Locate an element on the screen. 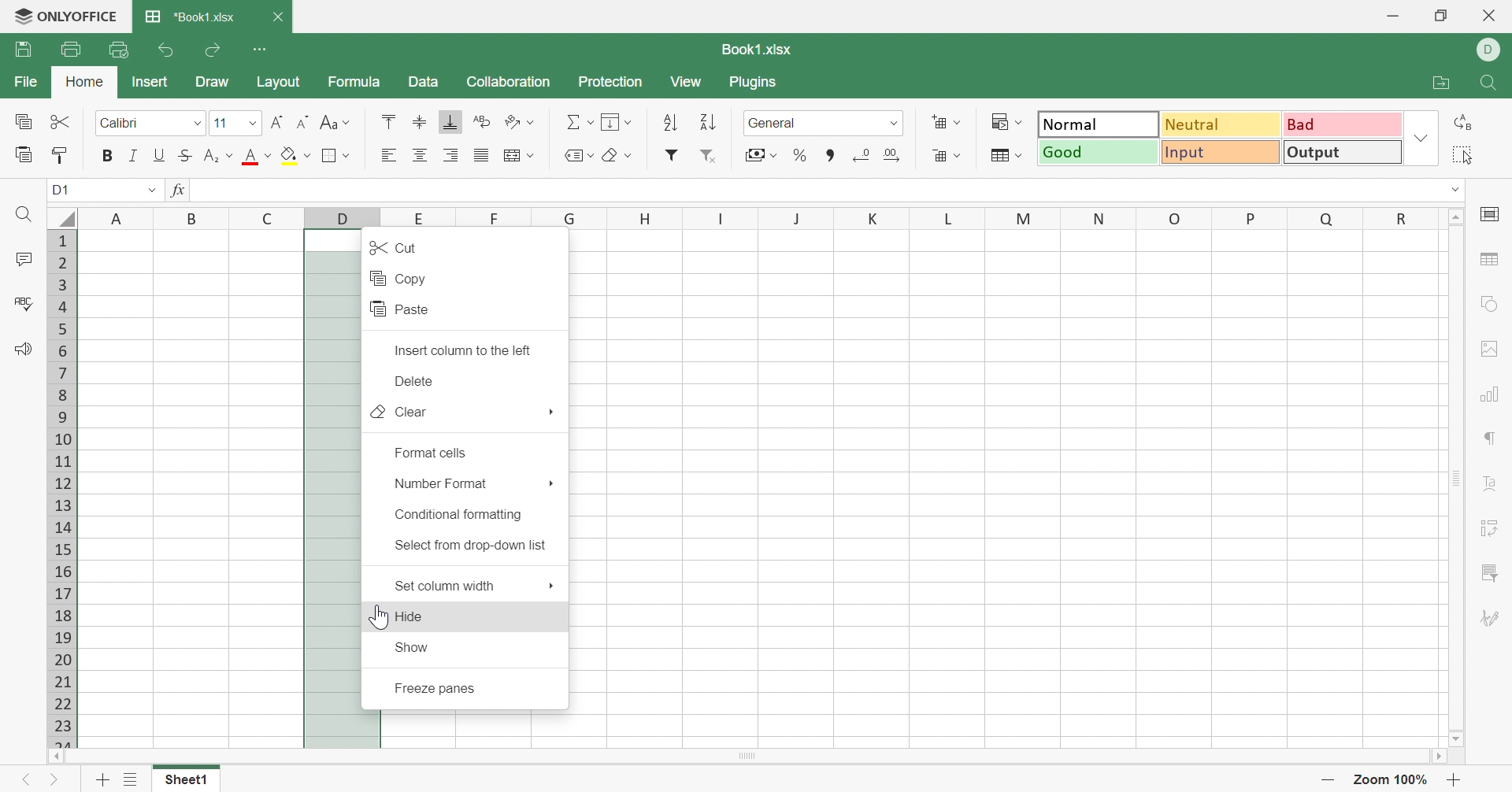 The image size is (1512, 792). Cursor is located at coordinates (376, 618).